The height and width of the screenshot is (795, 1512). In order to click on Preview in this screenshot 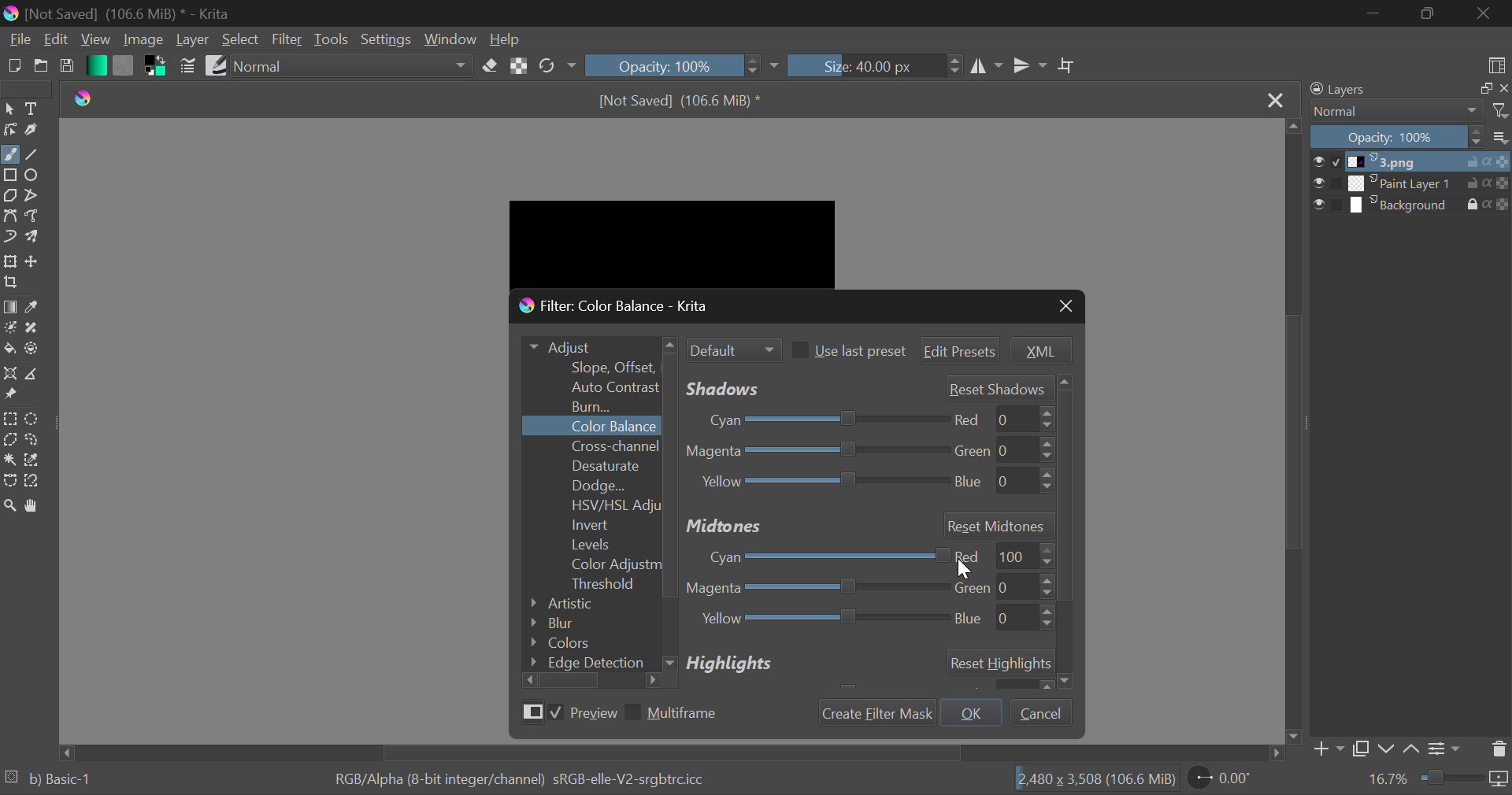, I will do `click(566, 712)`.